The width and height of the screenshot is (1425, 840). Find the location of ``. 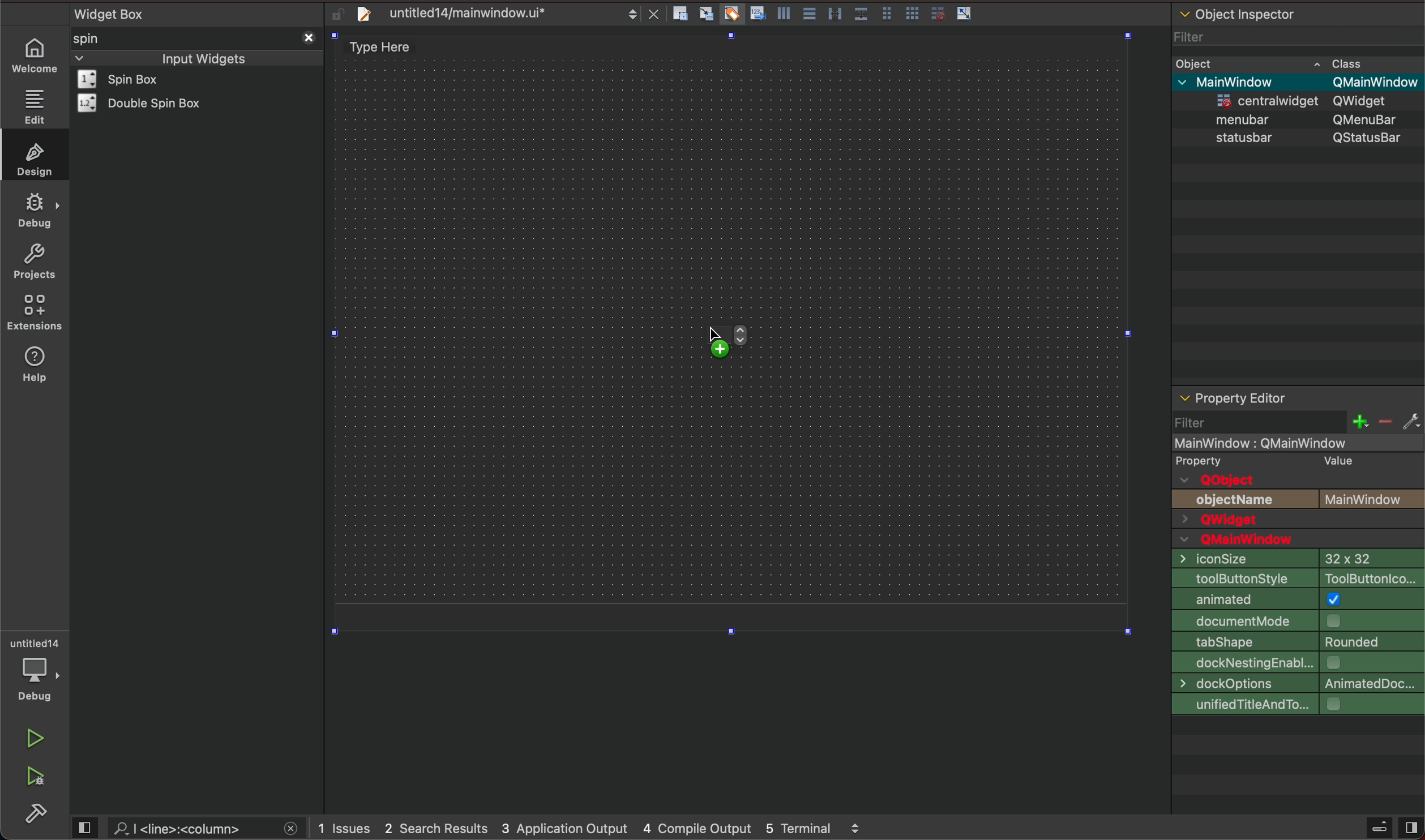

 is located at coordinates (1369, 101).